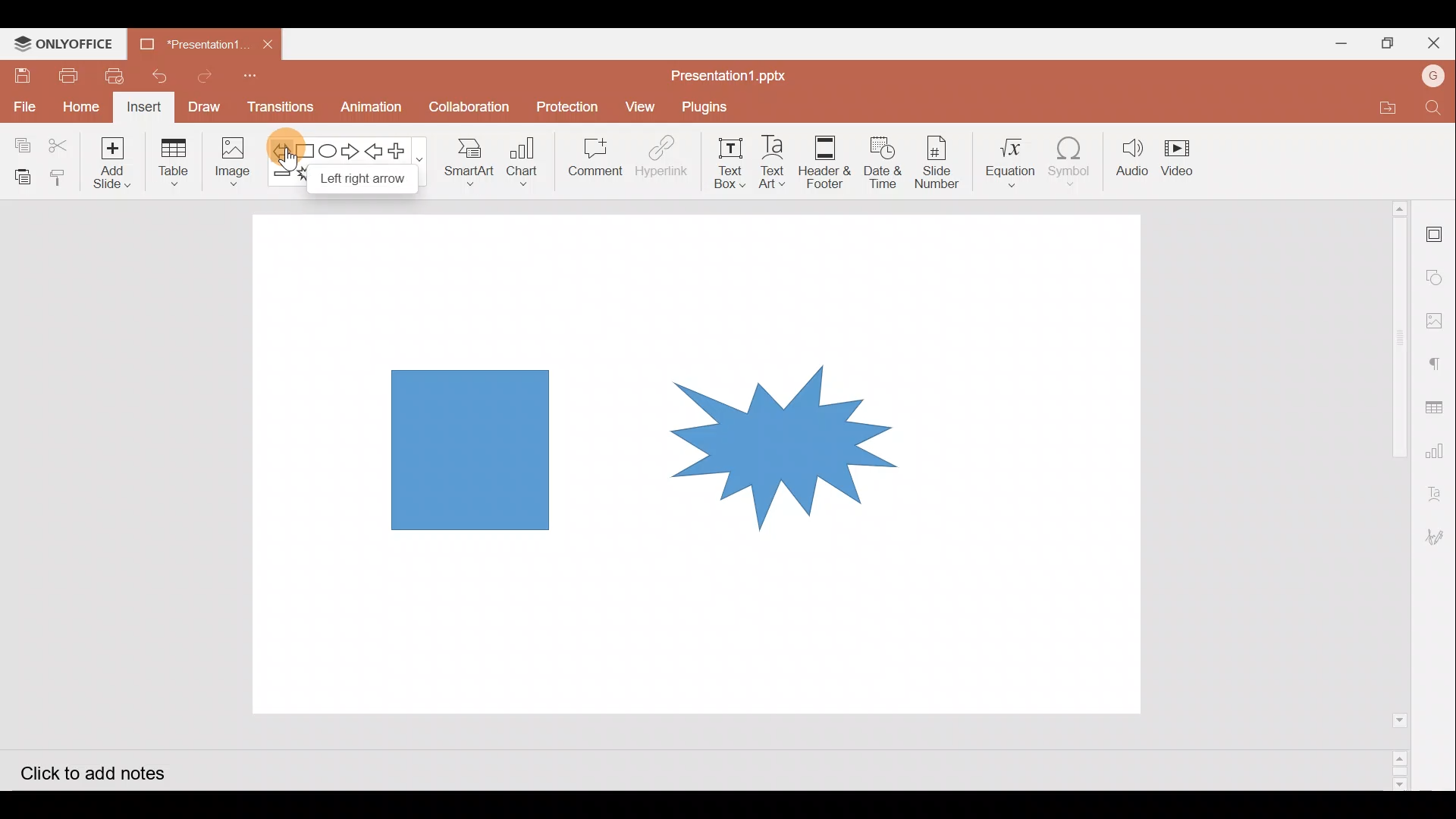  I want to click on Right arrow, so click(352, 149).